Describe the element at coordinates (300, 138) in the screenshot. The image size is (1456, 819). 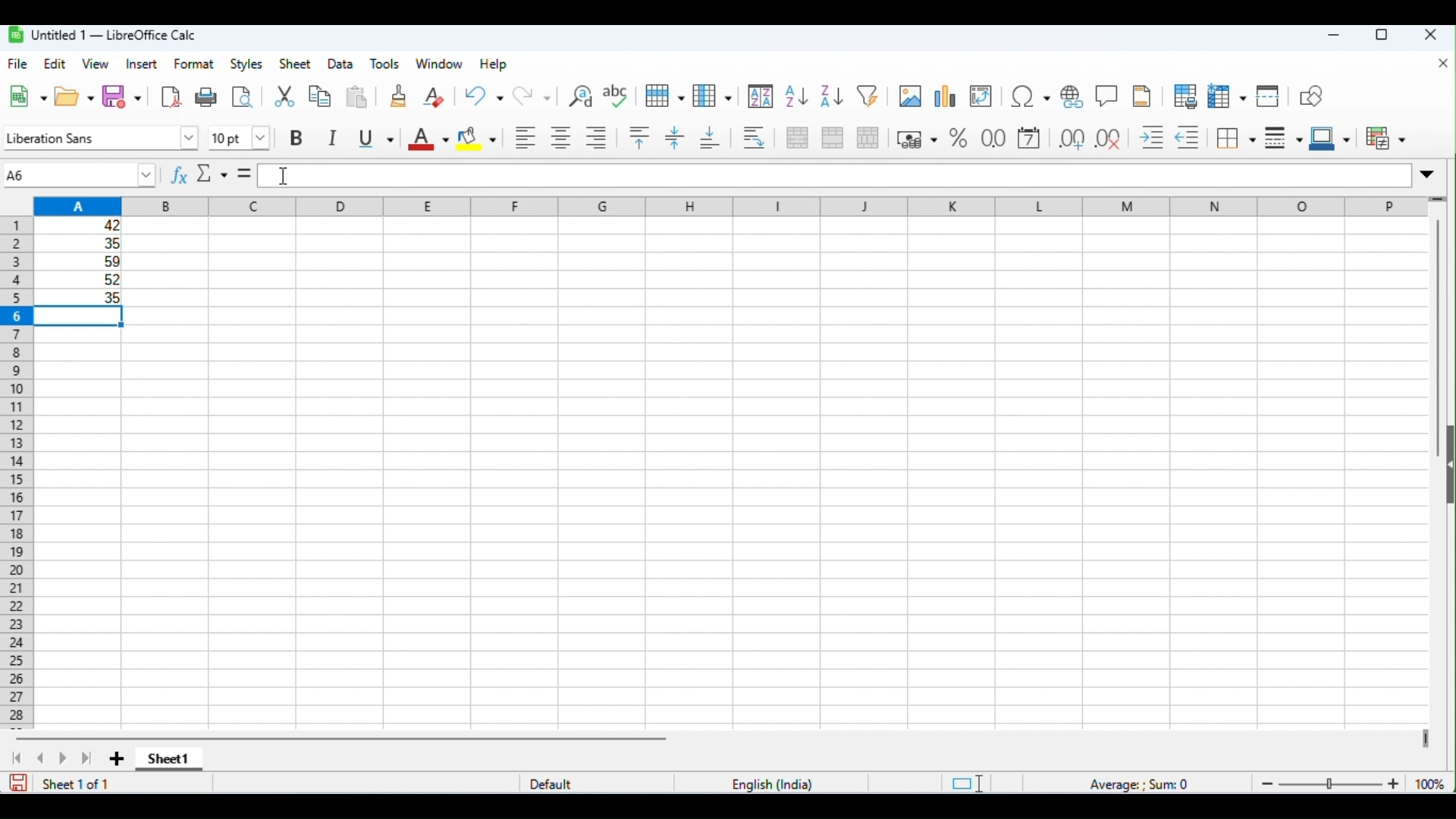
I see `bold` at that location.